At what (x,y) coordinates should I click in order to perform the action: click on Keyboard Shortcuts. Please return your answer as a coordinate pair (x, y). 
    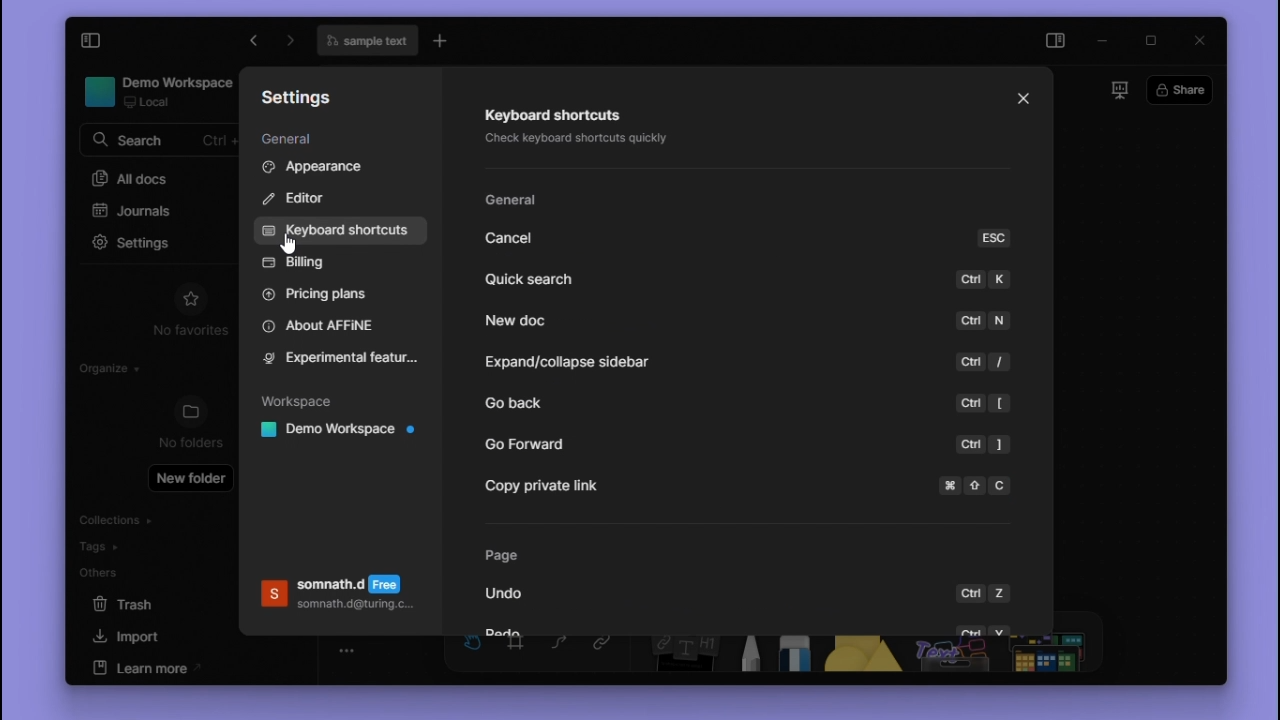
    Looking at the image, I should click on (347, 230).